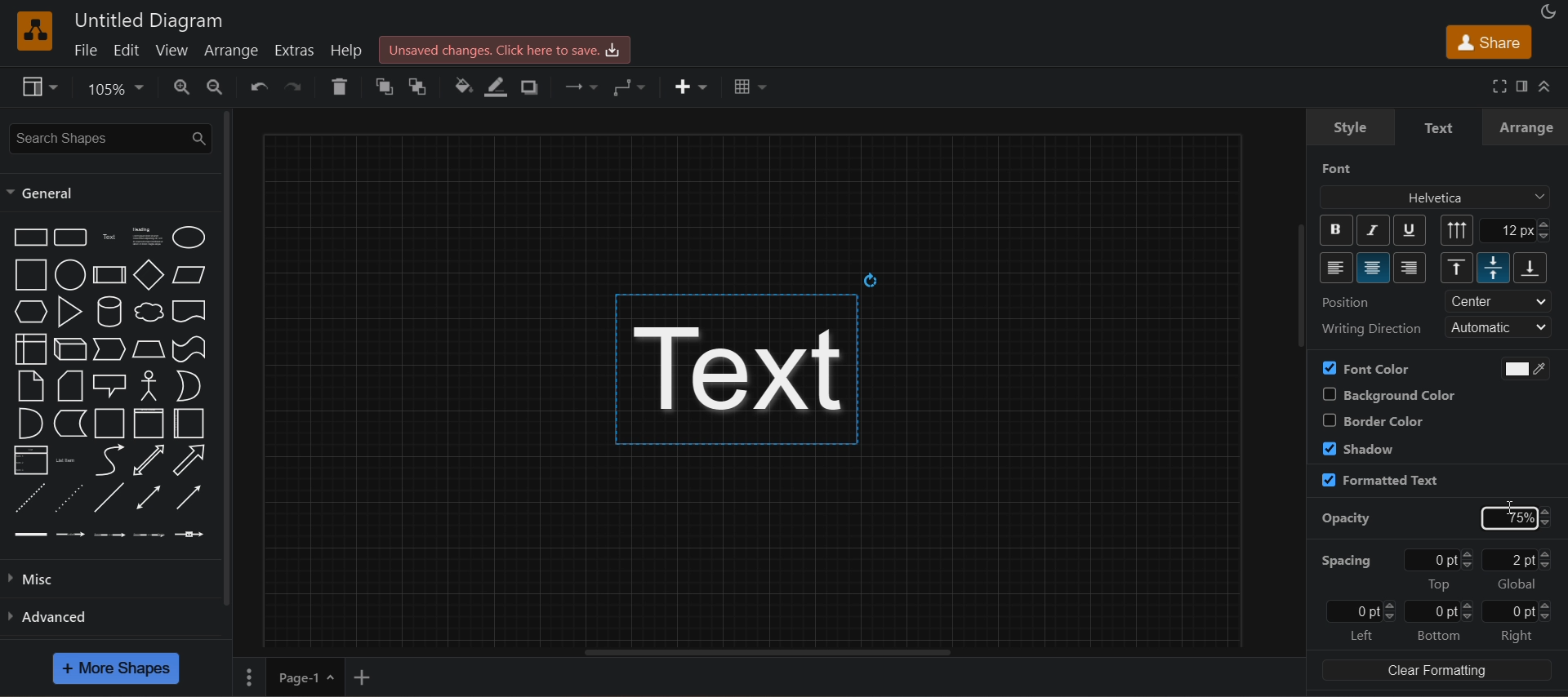 Image resolution: width=1568 pixels, height=697 pixels. Describe the element at coordinates (190, 535) in the screenshot. I see `connector with symbol` at that location.